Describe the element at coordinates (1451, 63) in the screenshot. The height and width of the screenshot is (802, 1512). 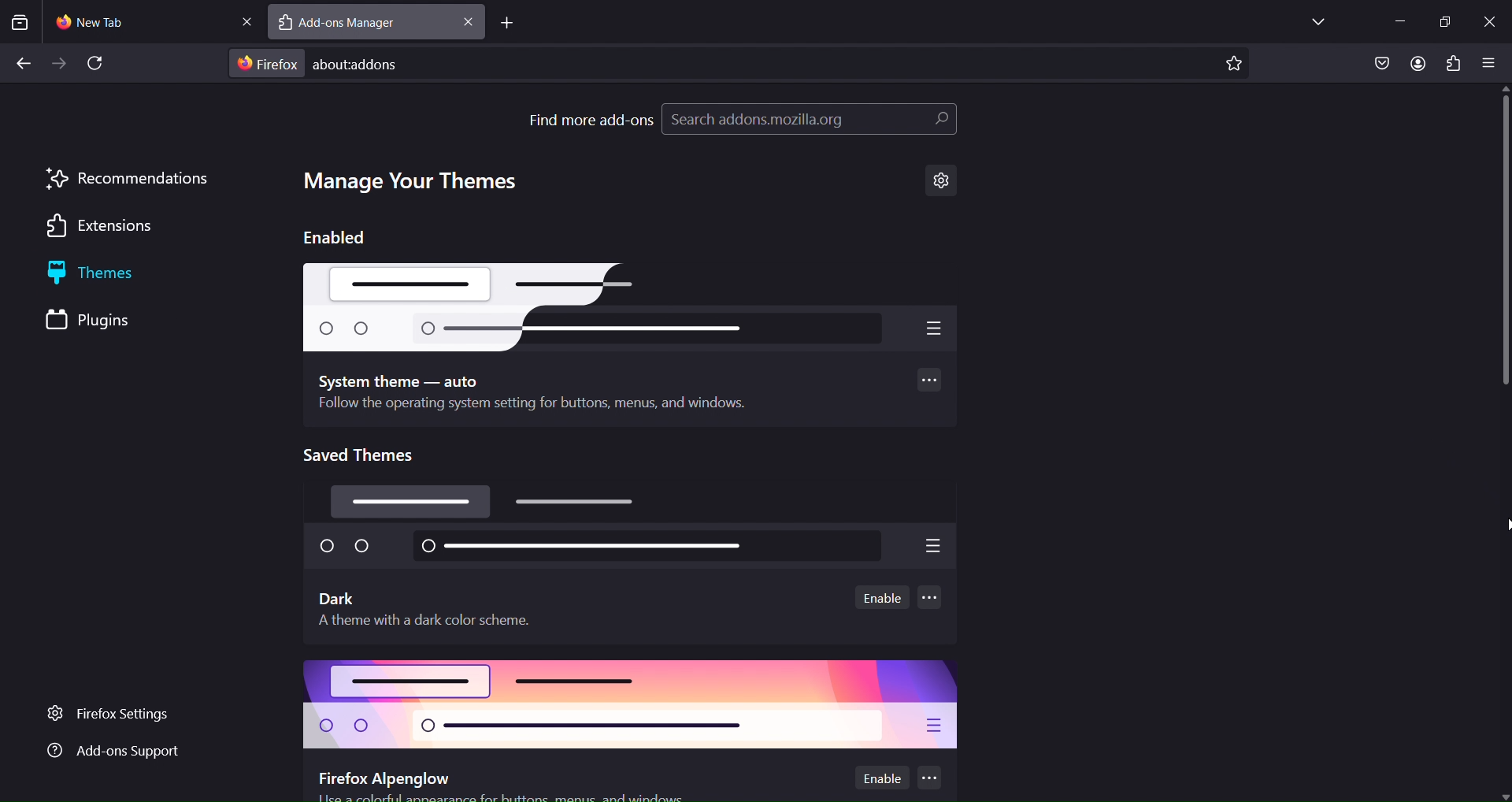
I see `extensions` at that location.